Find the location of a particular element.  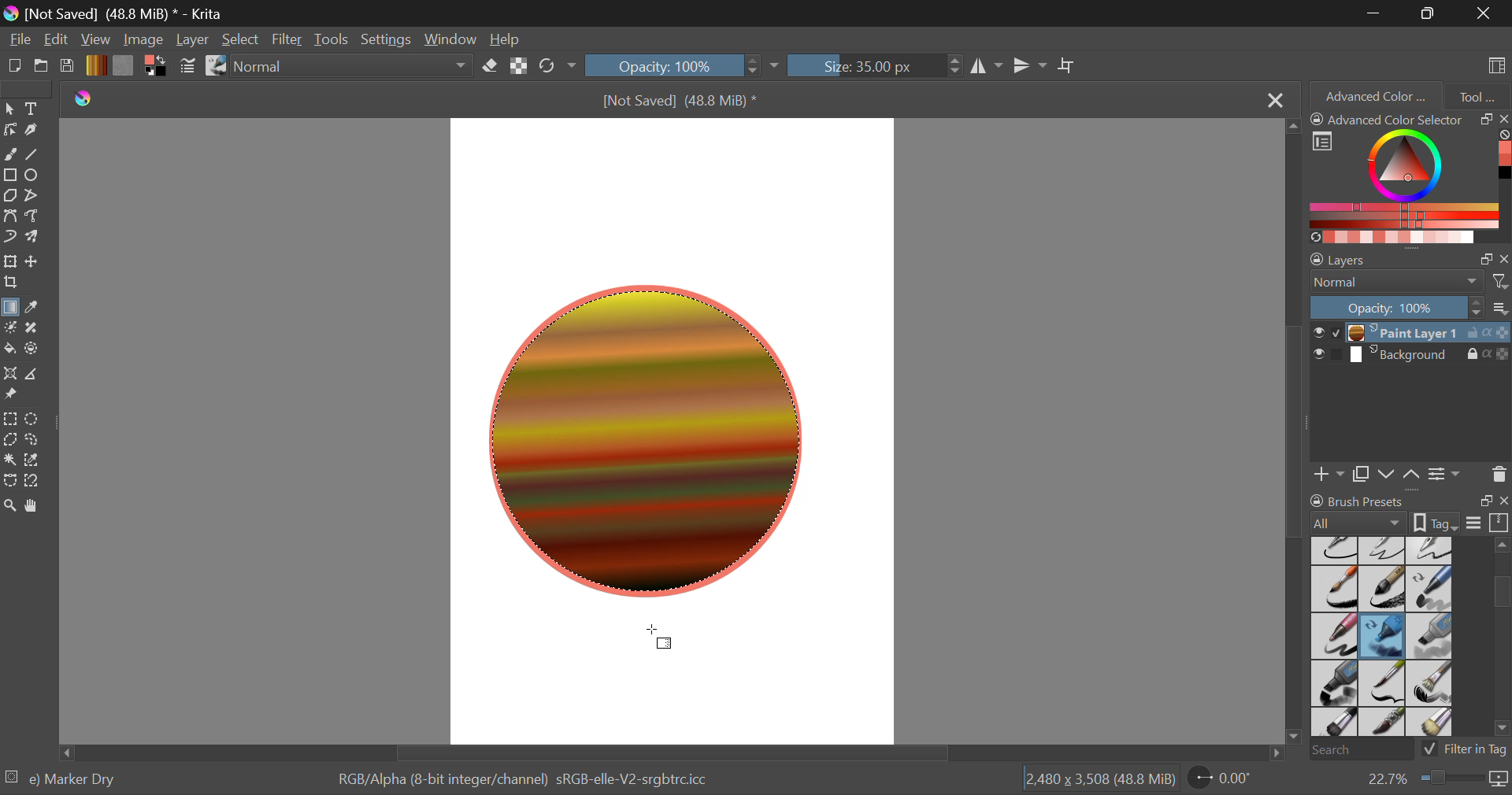

Krita Logo is located at coordinates (82, 99).